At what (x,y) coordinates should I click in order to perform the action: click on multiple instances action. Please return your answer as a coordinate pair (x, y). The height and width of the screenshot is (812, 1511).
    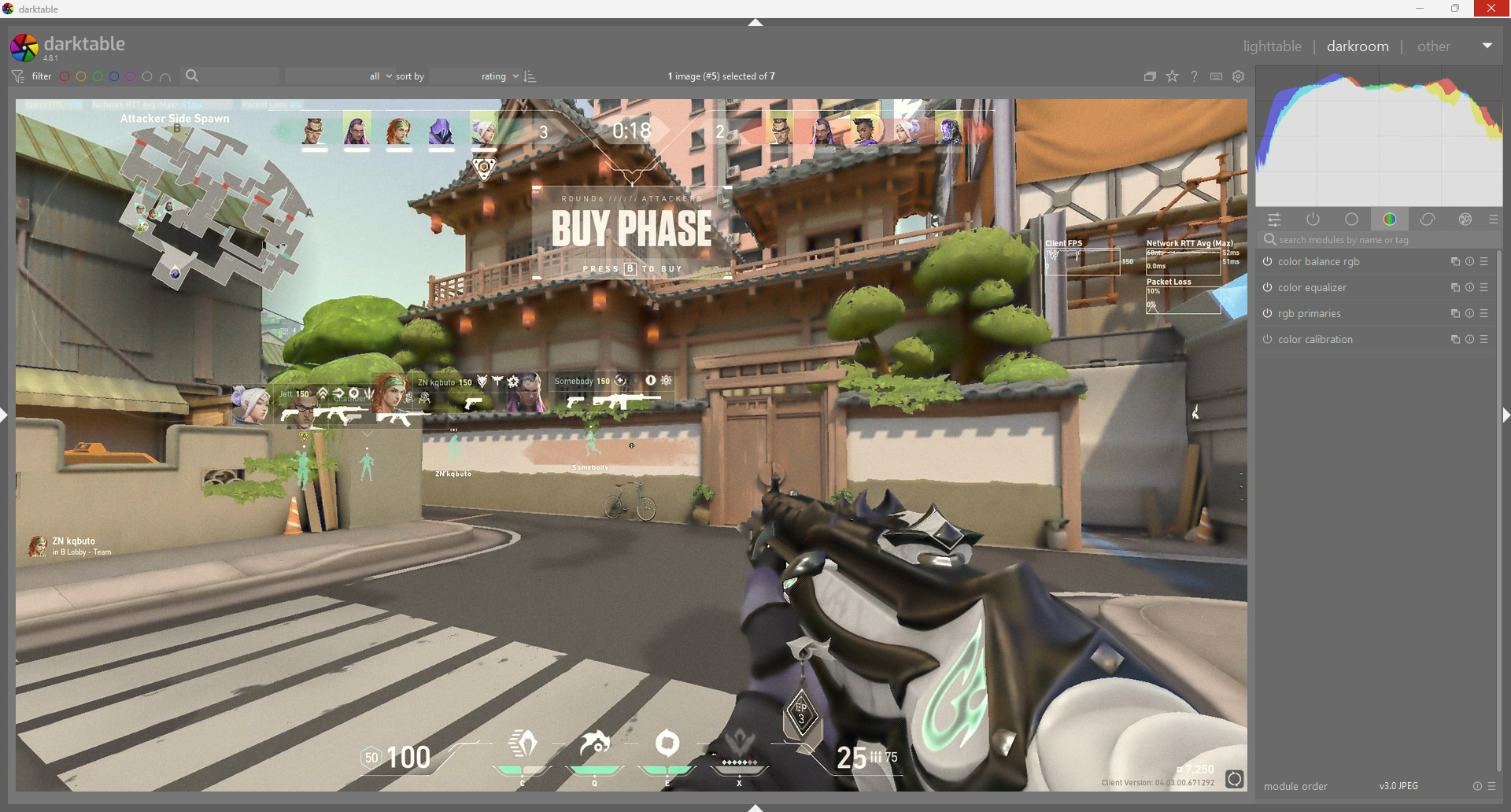
    Looking at the image, I should click on (1450, 288).